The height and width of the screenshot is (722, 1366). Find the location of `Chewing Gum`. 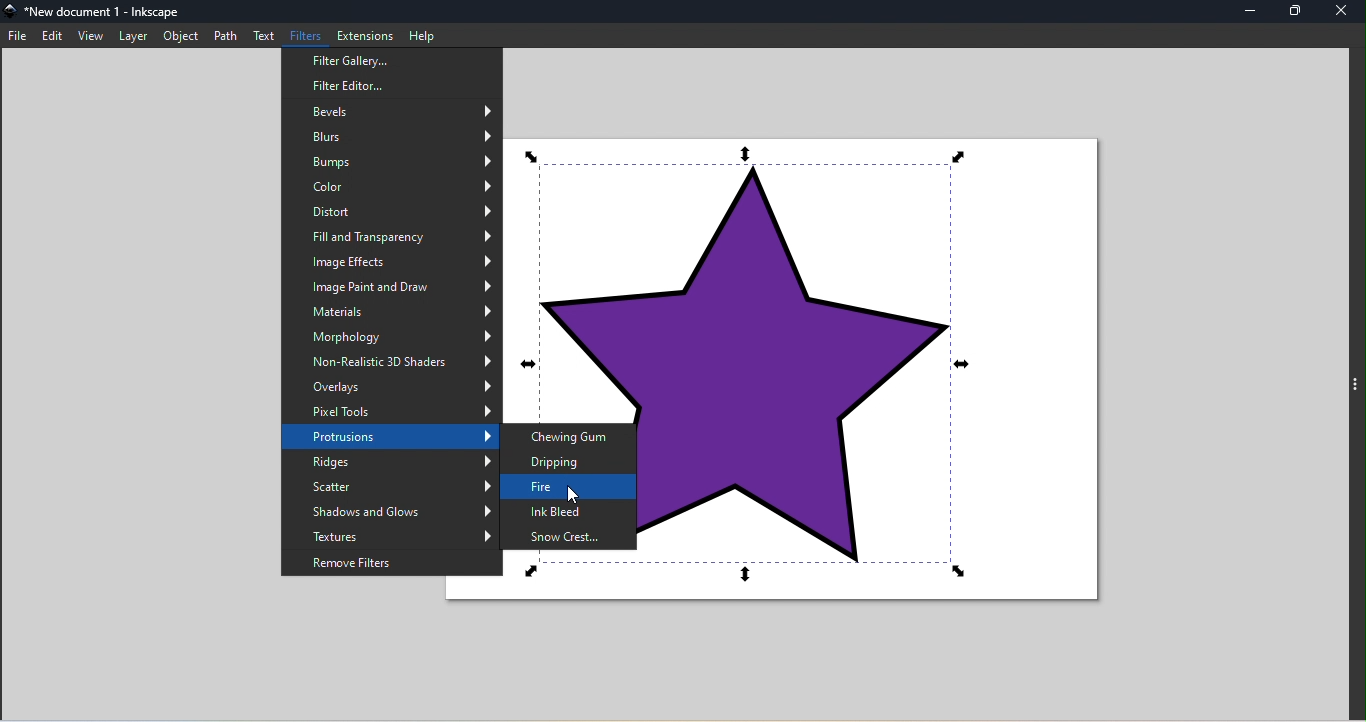

Chewing Gum is located at coordinates (570, 436).